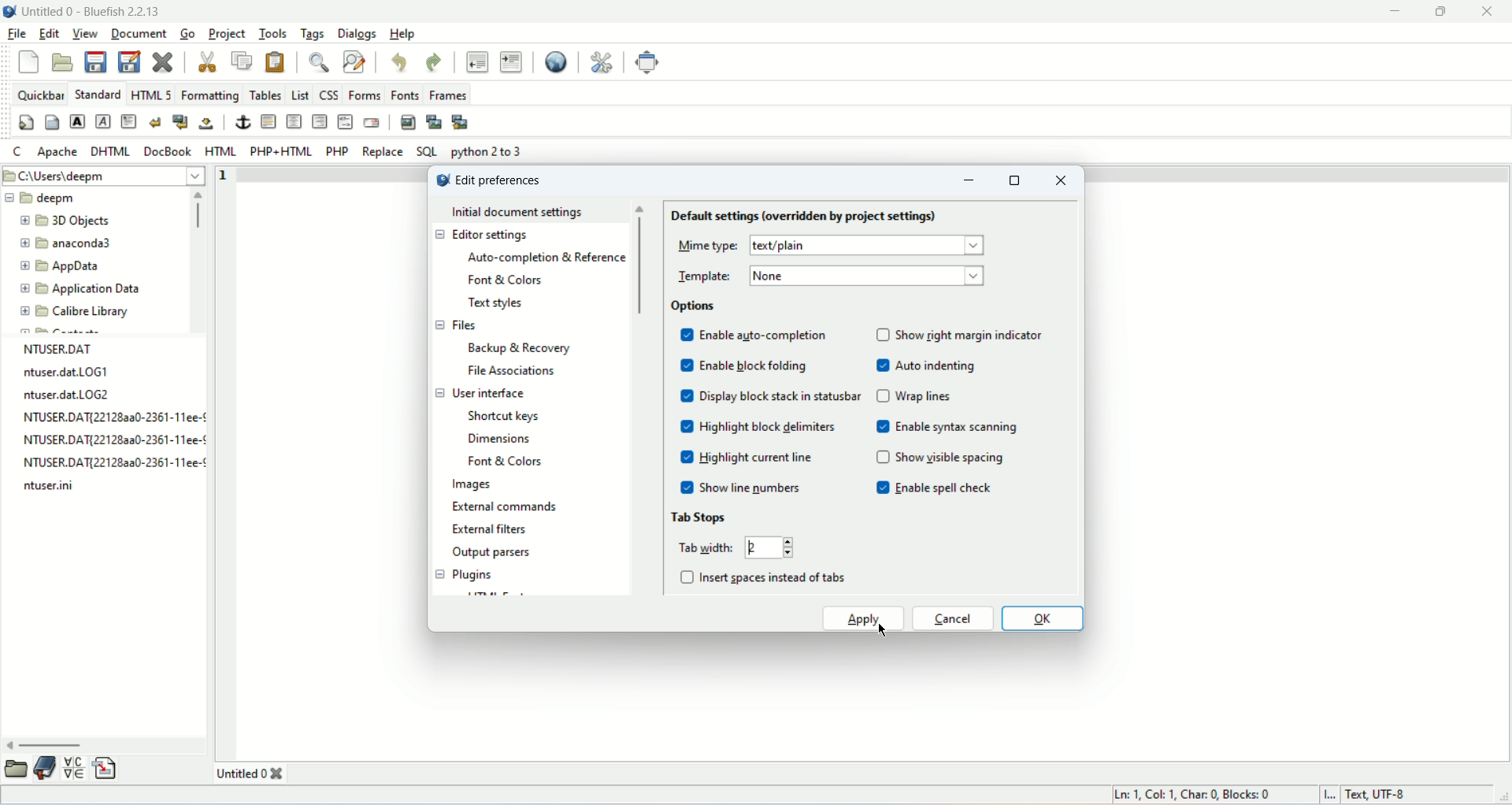 This screenshot has width=1512, height=805. I want to click on check box, so click(683, 410).